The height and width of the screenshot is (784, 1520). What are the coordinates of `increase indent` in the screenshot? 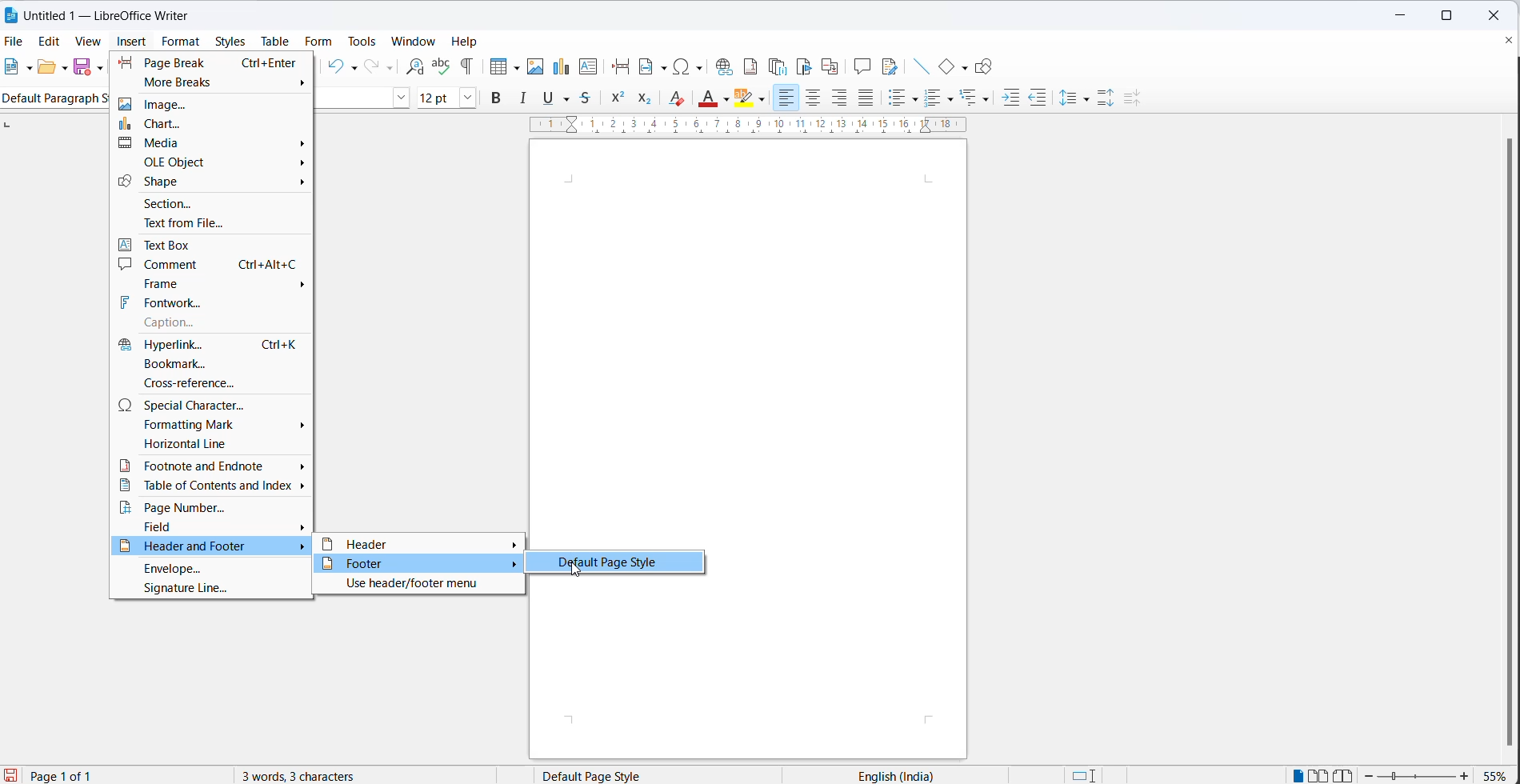 It's located at (1010, 98).